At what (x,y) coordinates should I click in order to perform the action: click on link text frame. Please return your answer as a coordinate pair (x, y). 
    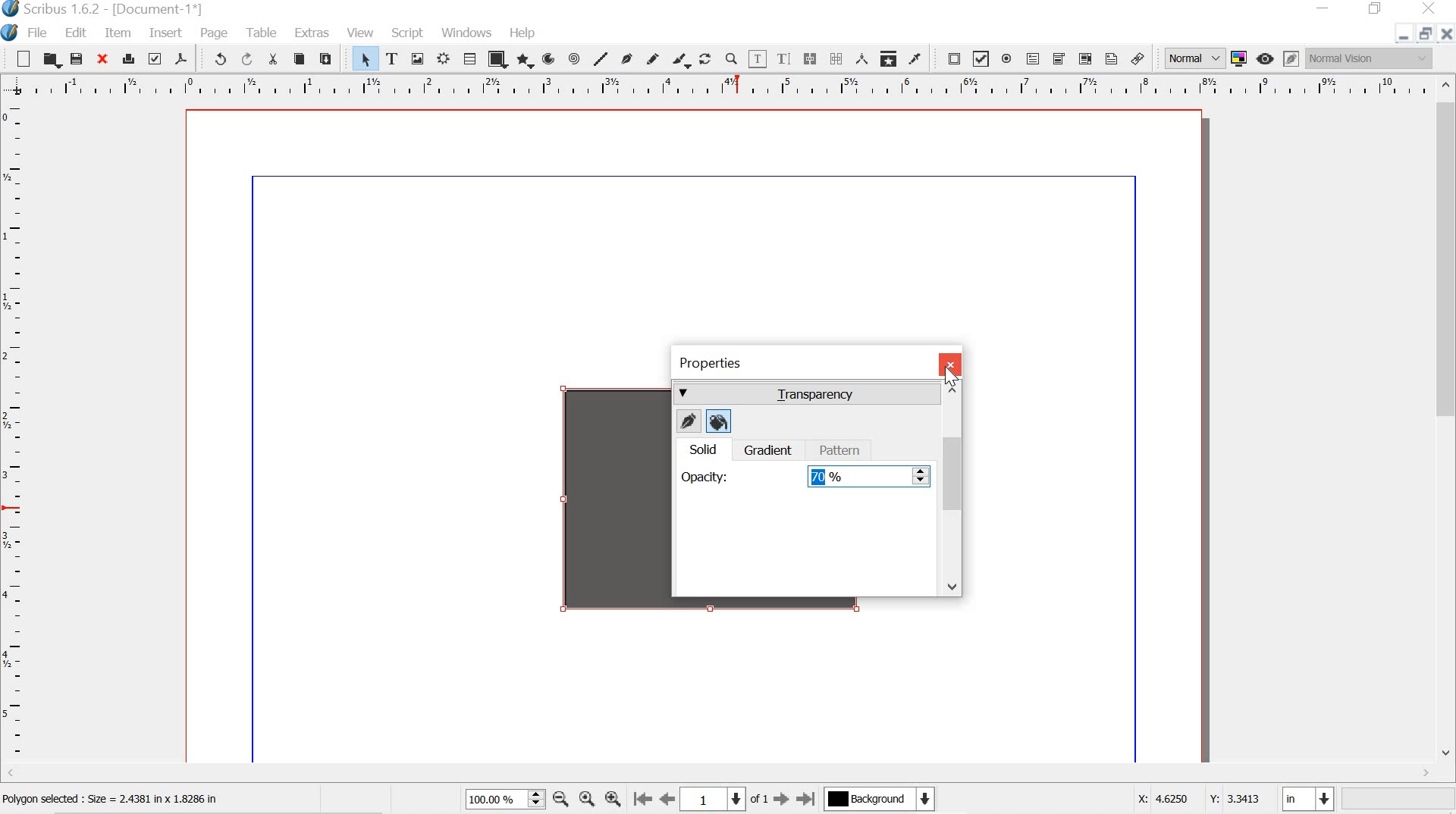
    Looking at the image, I should click on (810, 60).